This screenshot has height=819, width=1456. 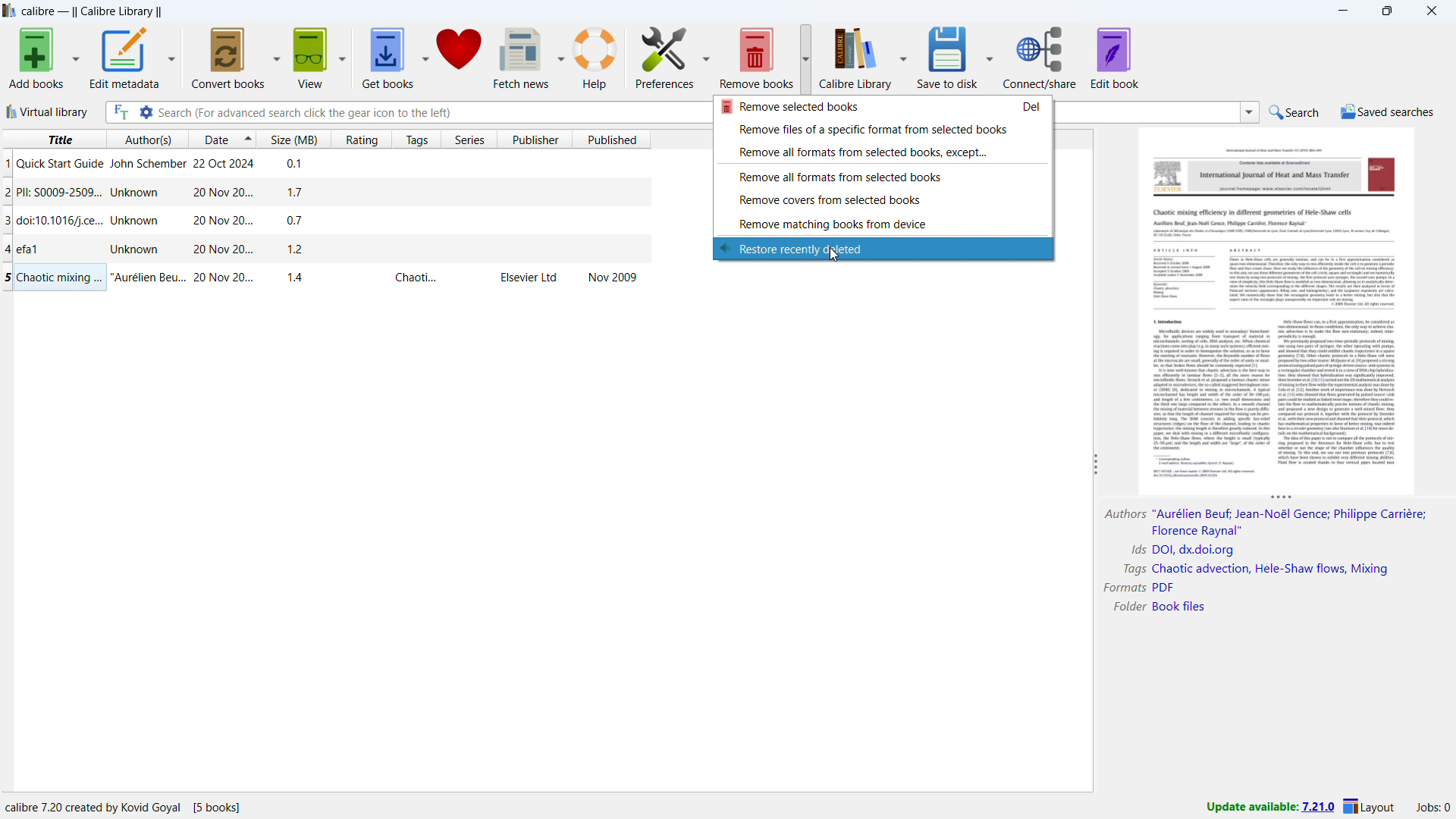 I want to click on double click to open book details window, so click(x=1279, y=309).